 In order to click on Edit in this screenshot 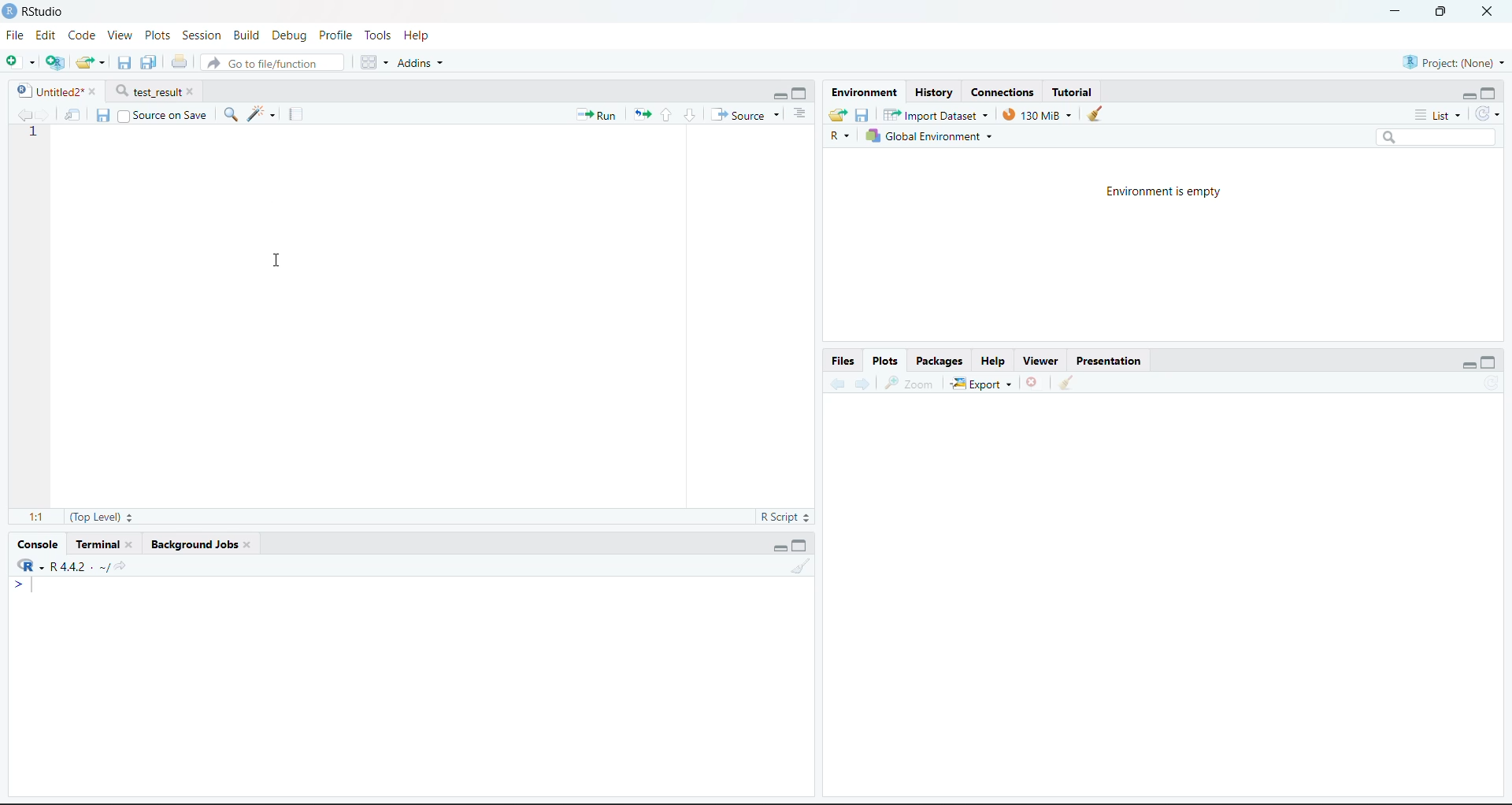, I will do `click(43, 34)`.